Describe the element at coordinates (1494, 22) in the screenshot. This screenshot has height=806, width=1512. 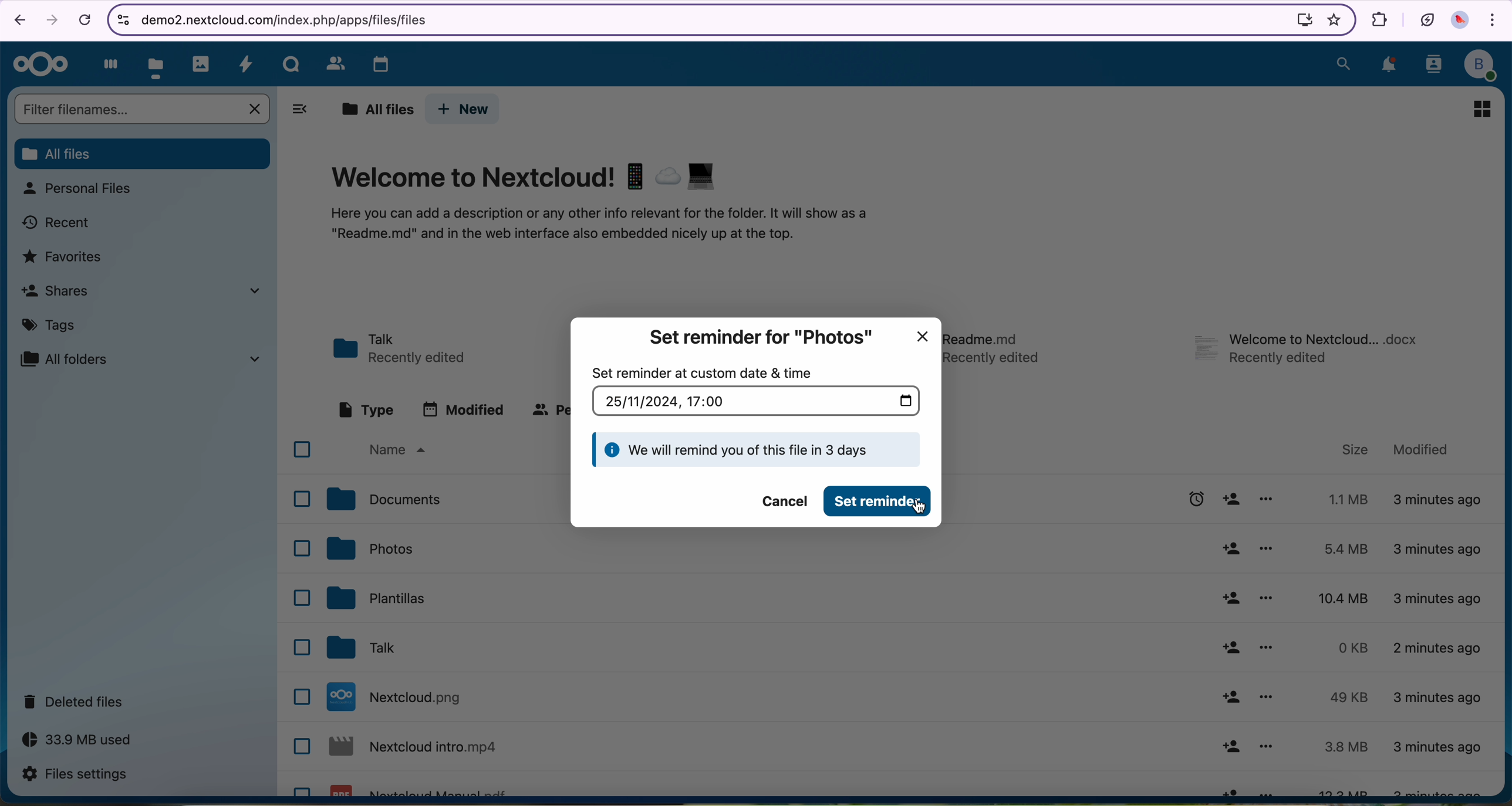
I see `customize and control Google Chrome` at that location.